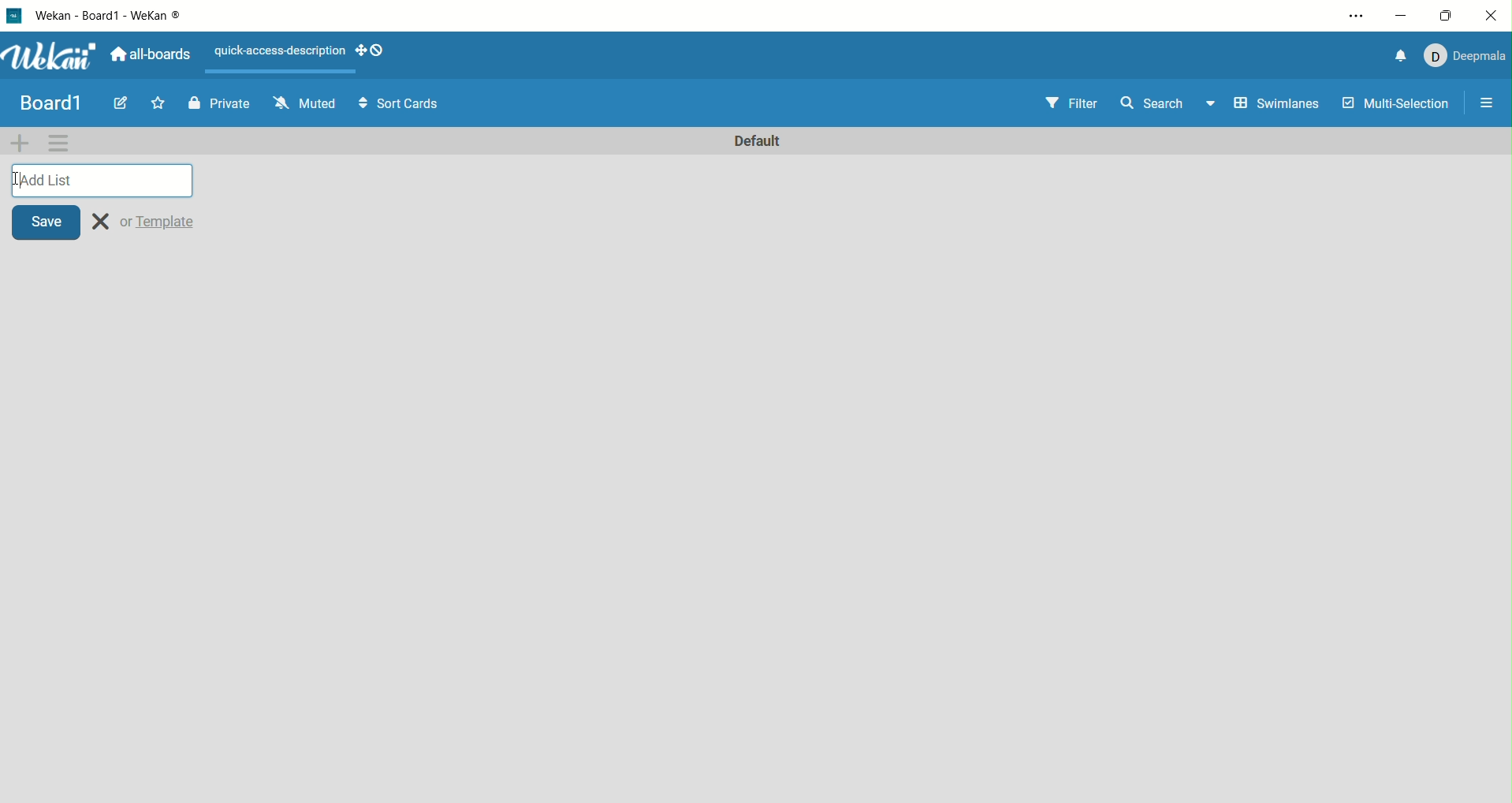  Describe the element at coordinates (1275, 106) in the screenshot. I see `swimlanes` at that location.